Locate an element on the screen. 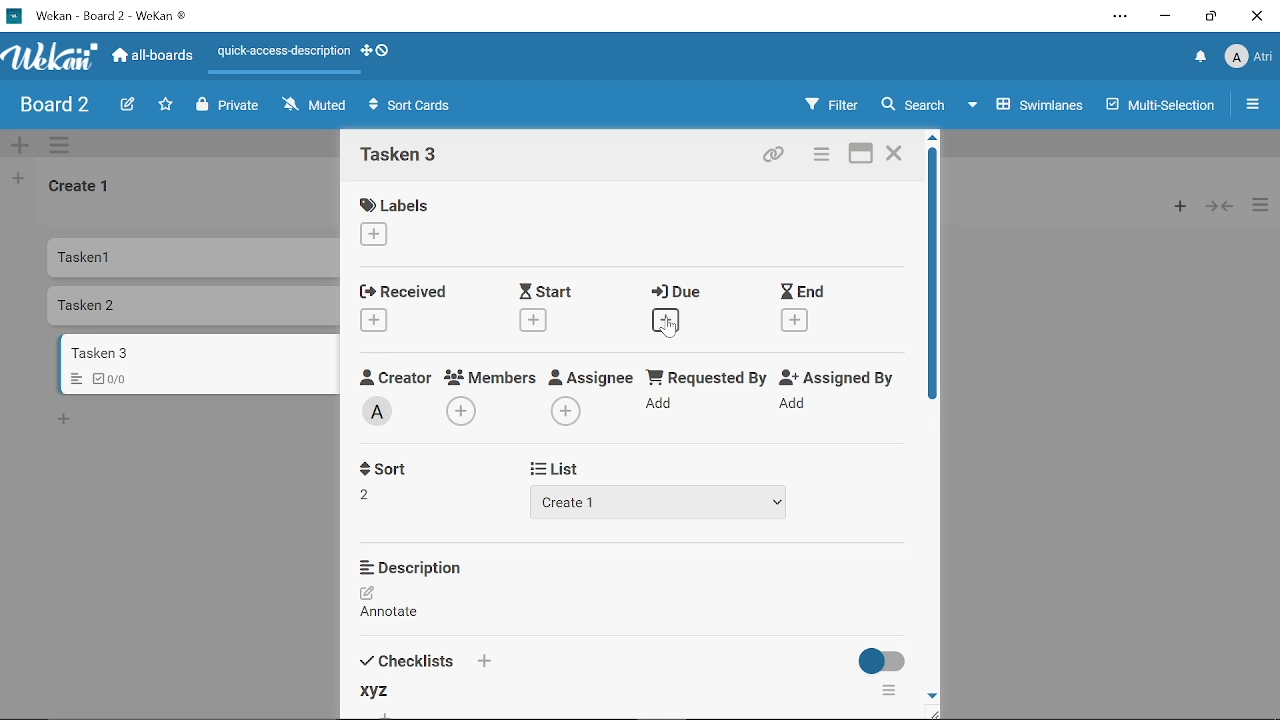  Move up is located at coordinates (932, 136).